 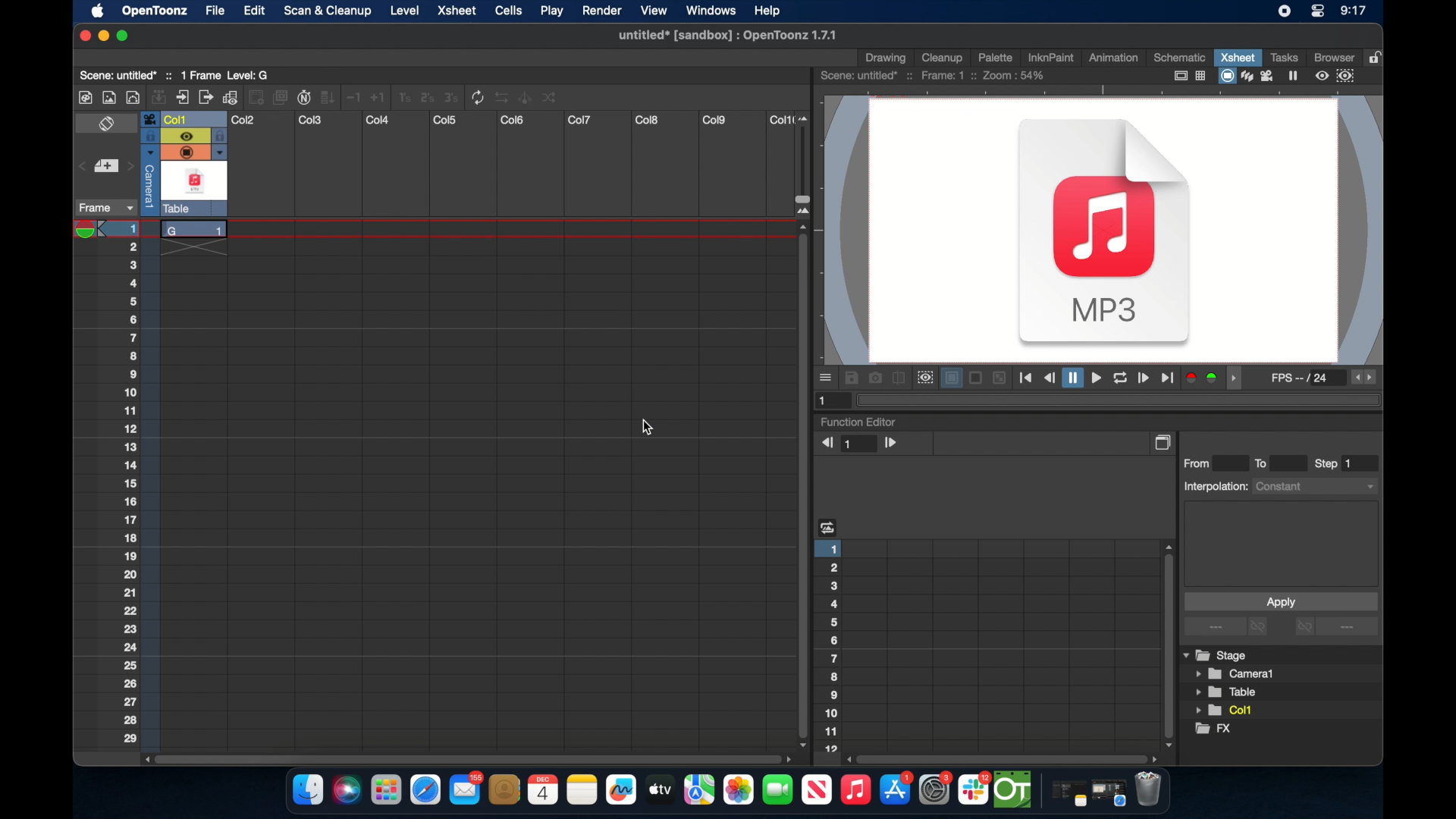 I want to click on file name, so click(x=724, y=36).